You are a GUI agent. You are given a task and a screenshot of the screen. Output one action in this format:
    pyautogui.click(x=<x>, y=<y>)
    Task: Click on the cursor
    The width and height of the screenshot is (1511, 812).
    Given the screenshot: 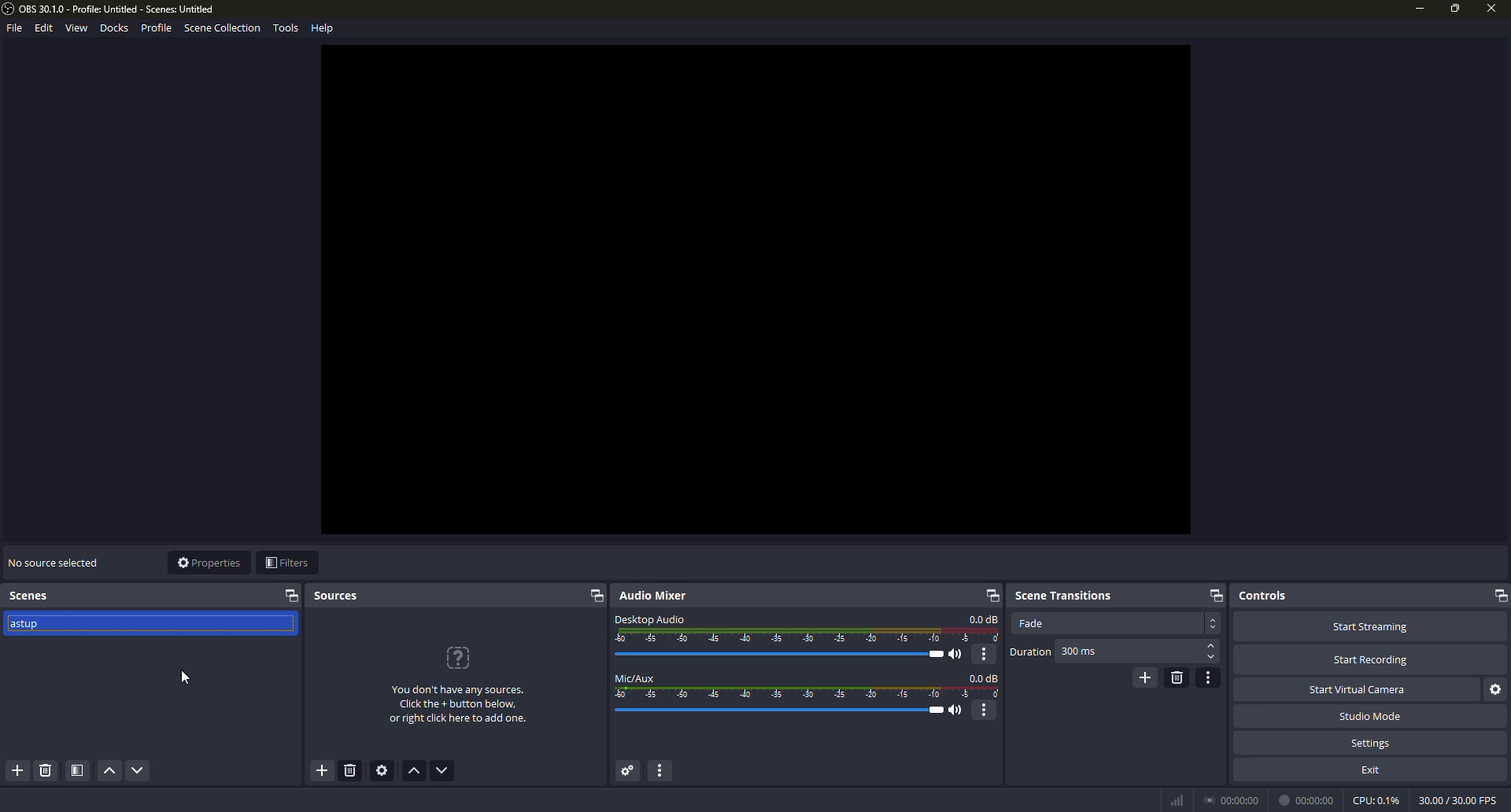 What is the action you would take?
    pyautogui.click(x=187, y=678)
    